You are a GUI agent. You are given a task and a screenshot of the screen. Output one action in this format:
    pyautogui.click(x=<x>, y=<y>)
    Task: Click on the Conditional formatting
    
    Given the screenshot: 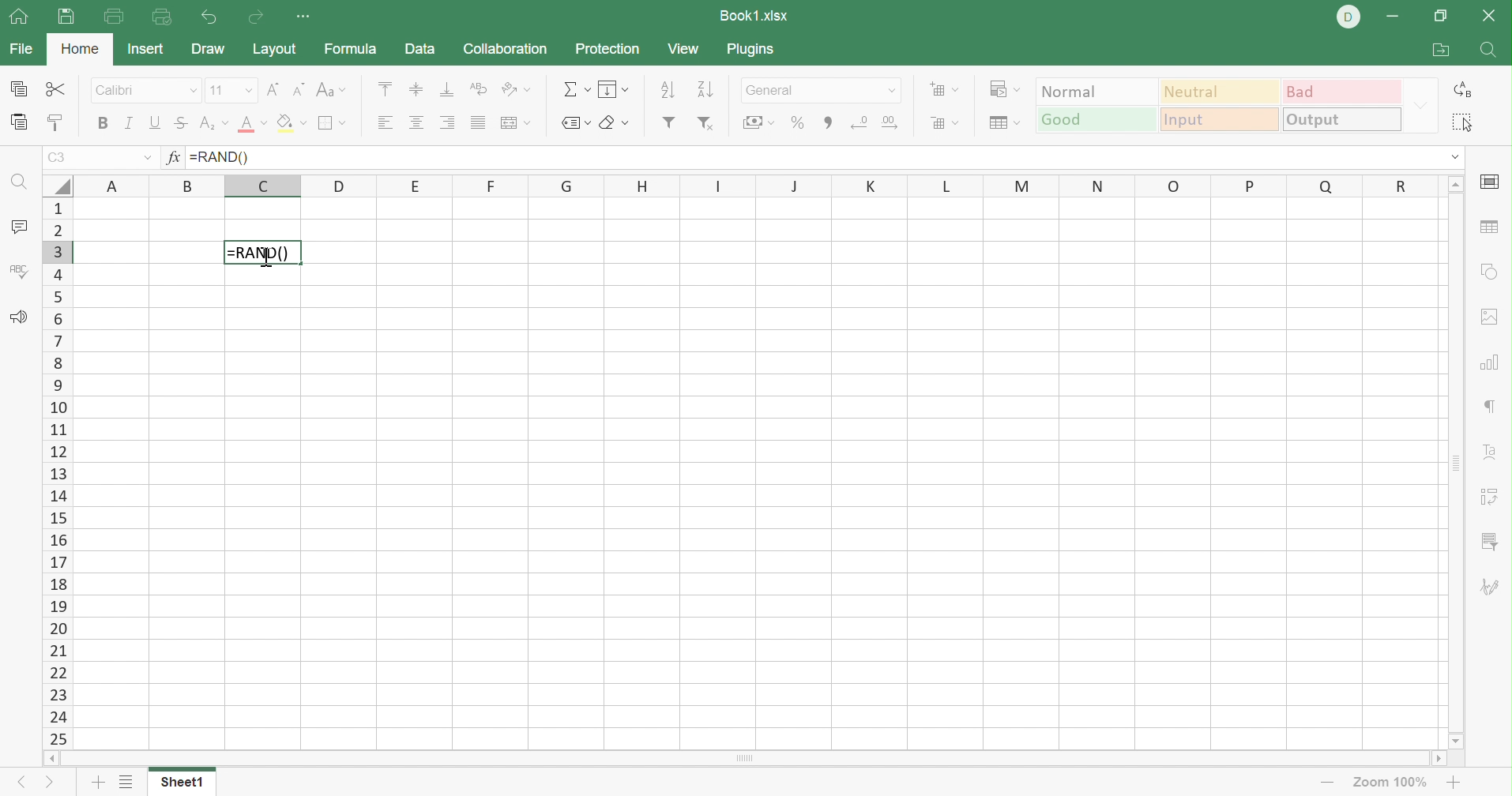 What is the action you would take?
    pyautogui.click(x=1004, y=90)
    